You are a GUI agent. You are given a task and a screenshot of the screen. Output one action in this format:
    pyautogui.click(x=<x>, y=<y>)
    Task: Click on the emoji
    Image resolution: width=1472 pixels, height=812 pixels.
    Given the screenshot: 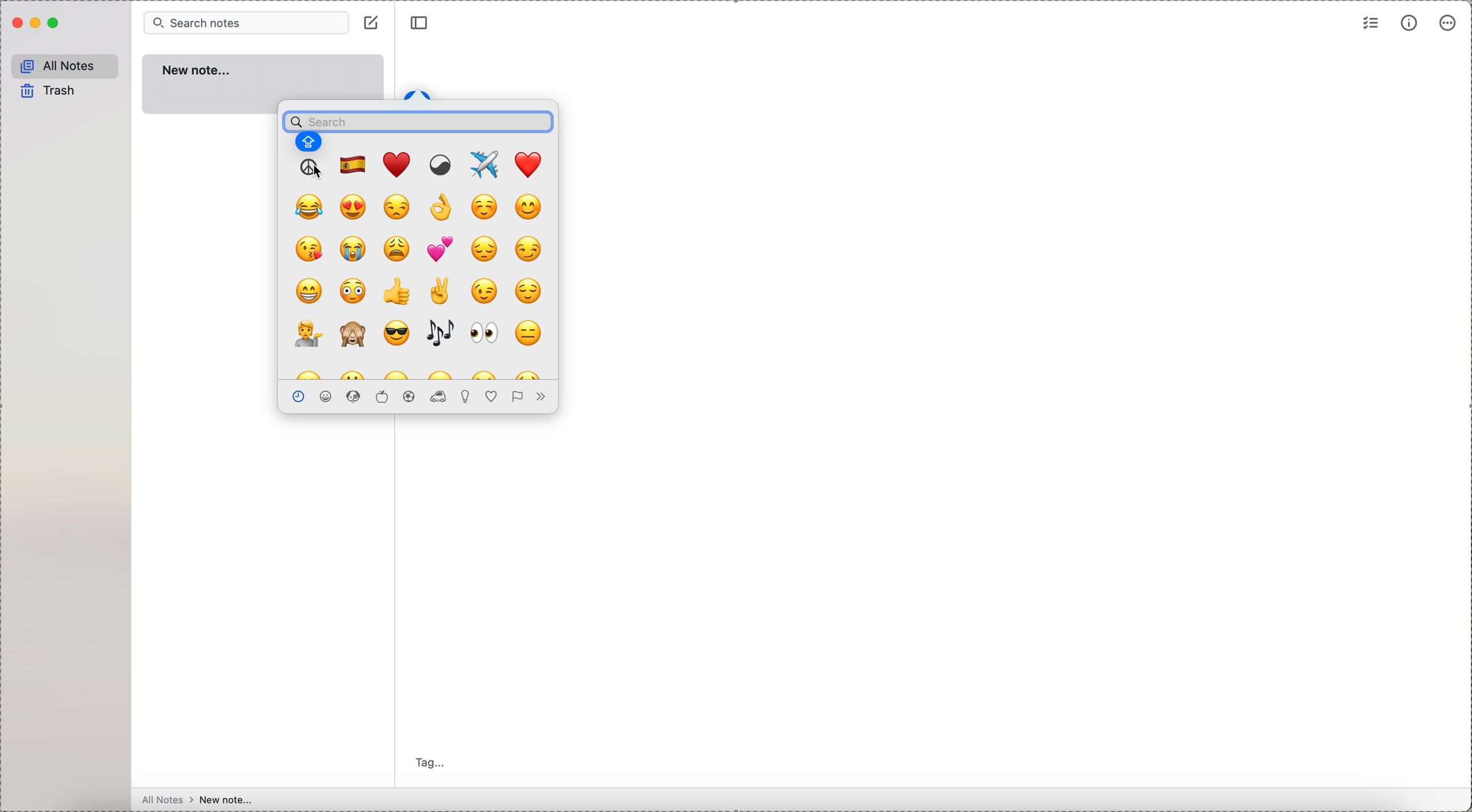 What is the action you would take?
    pyautogui.click(x=397, y=334)
    